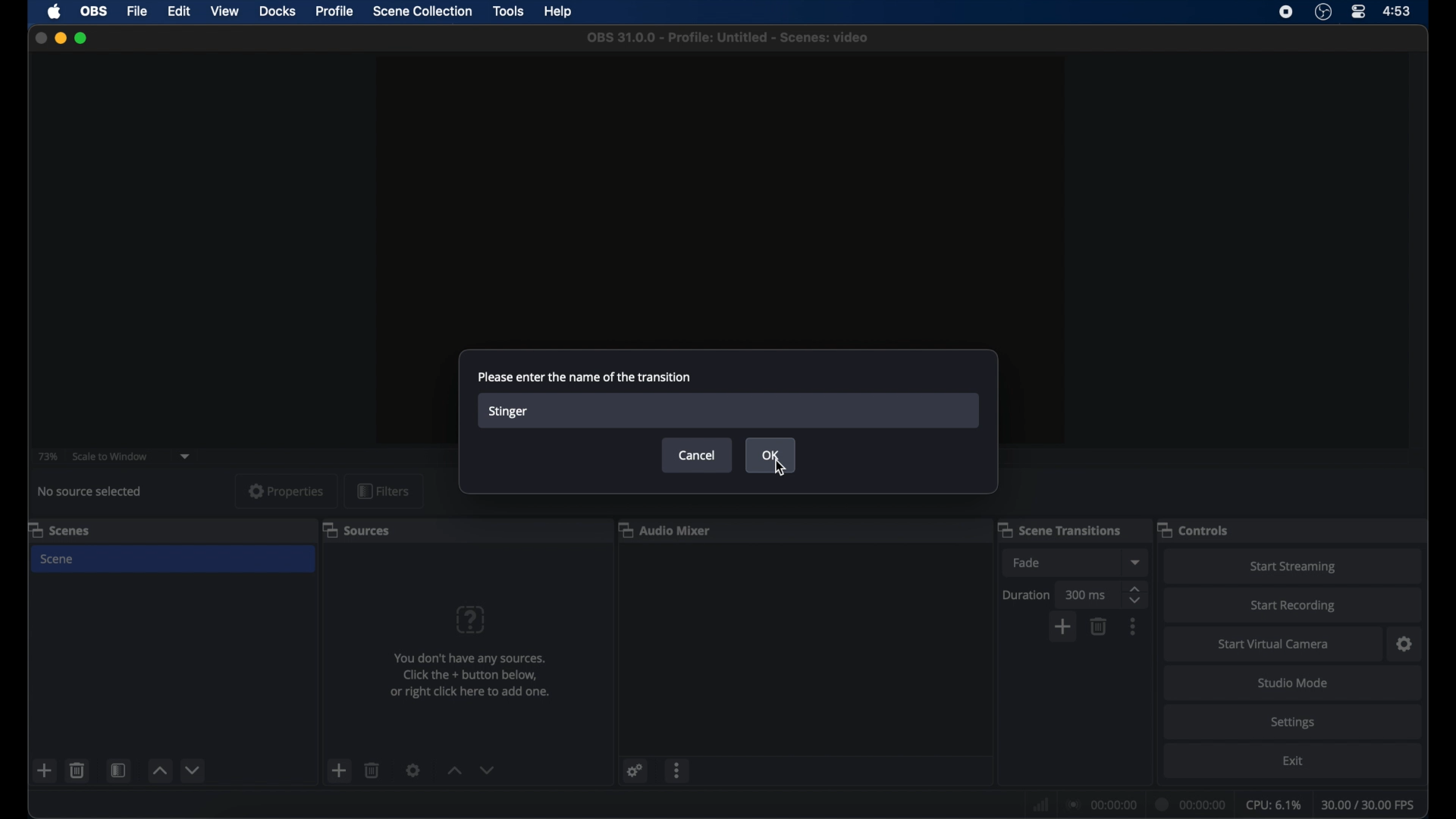 This screenshot has height=819, width=1456. I want to click on time, so click(1398, 10).